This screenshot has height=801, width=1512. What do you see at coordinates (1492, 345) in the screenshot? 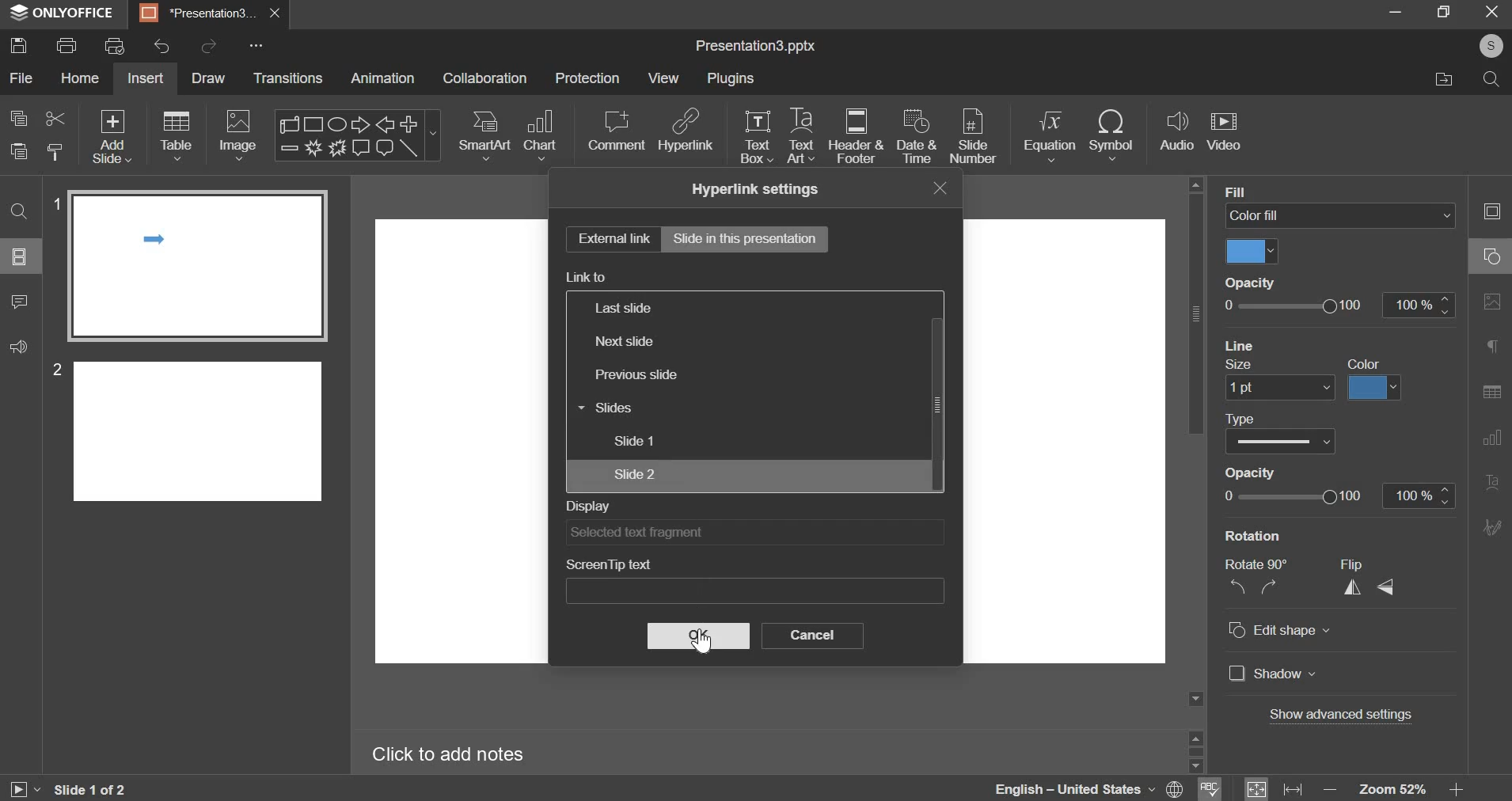
I see `Paragraph settings` at bounding box center [1492, 345].